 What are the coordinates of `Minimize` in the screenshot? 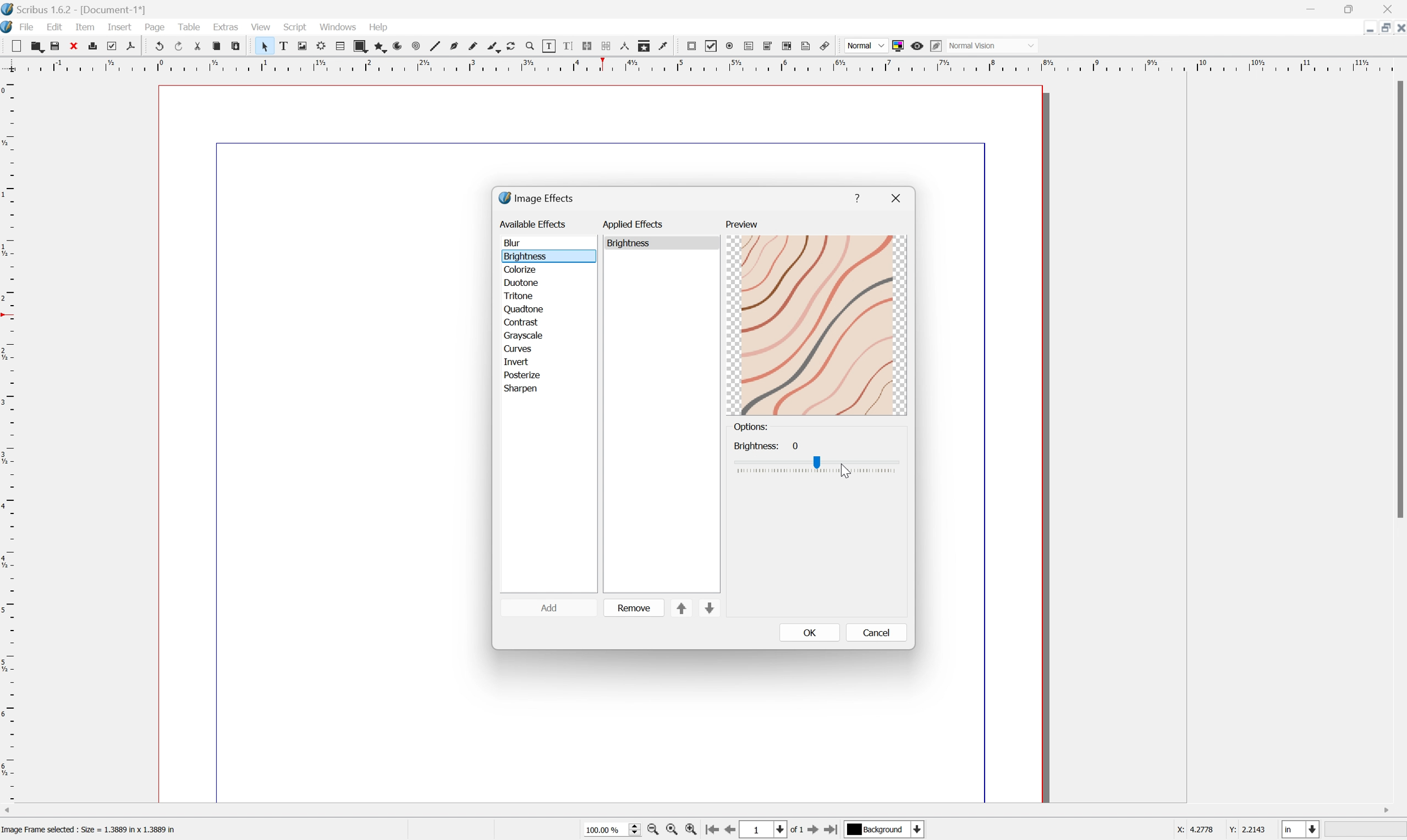 It's located at (1311, 8).